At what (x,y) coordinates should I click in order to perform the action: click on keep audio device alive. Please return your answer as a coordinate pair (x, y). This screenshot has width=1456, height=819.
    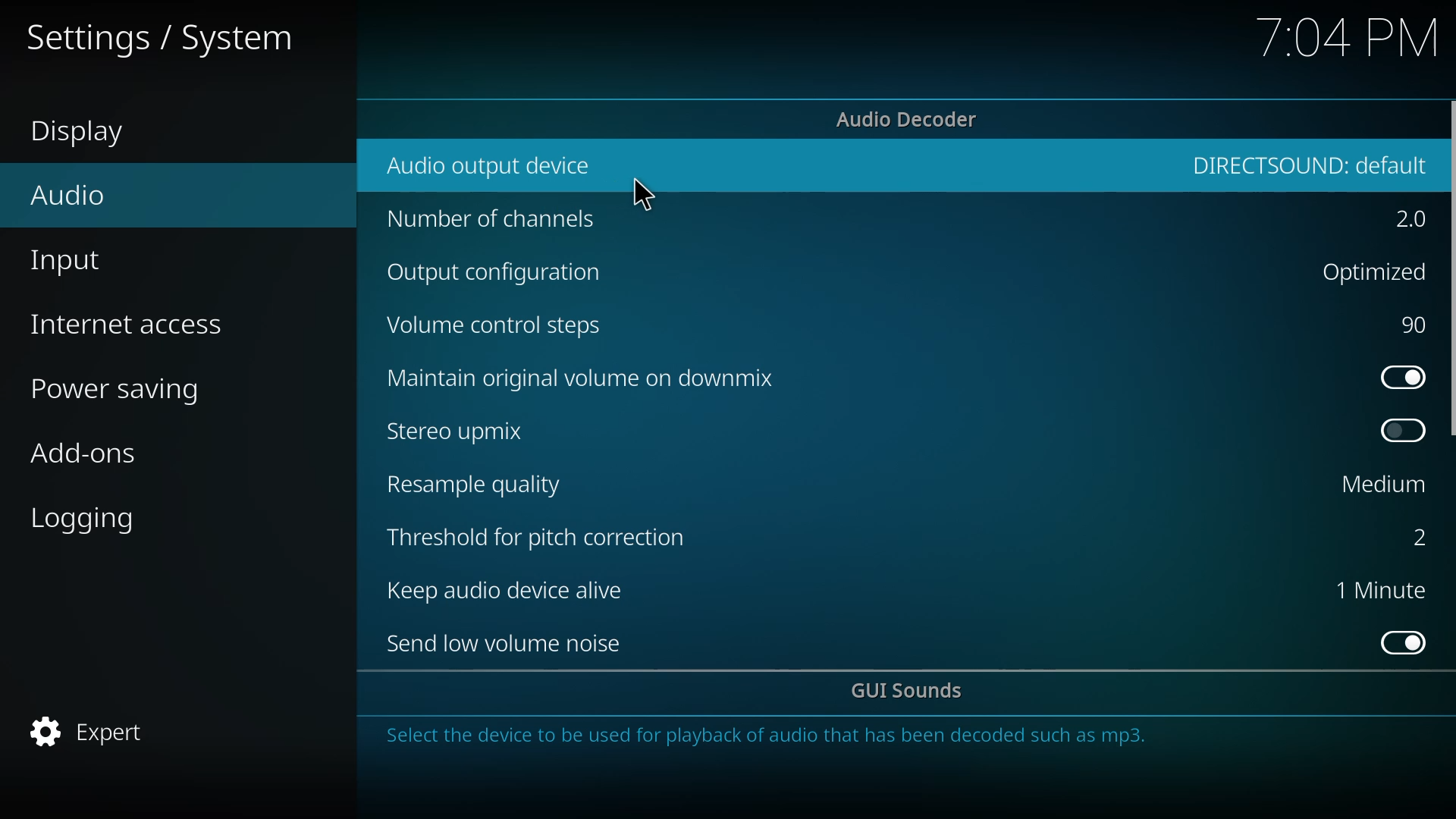
    Looking at the image, I should click on (515, 591).